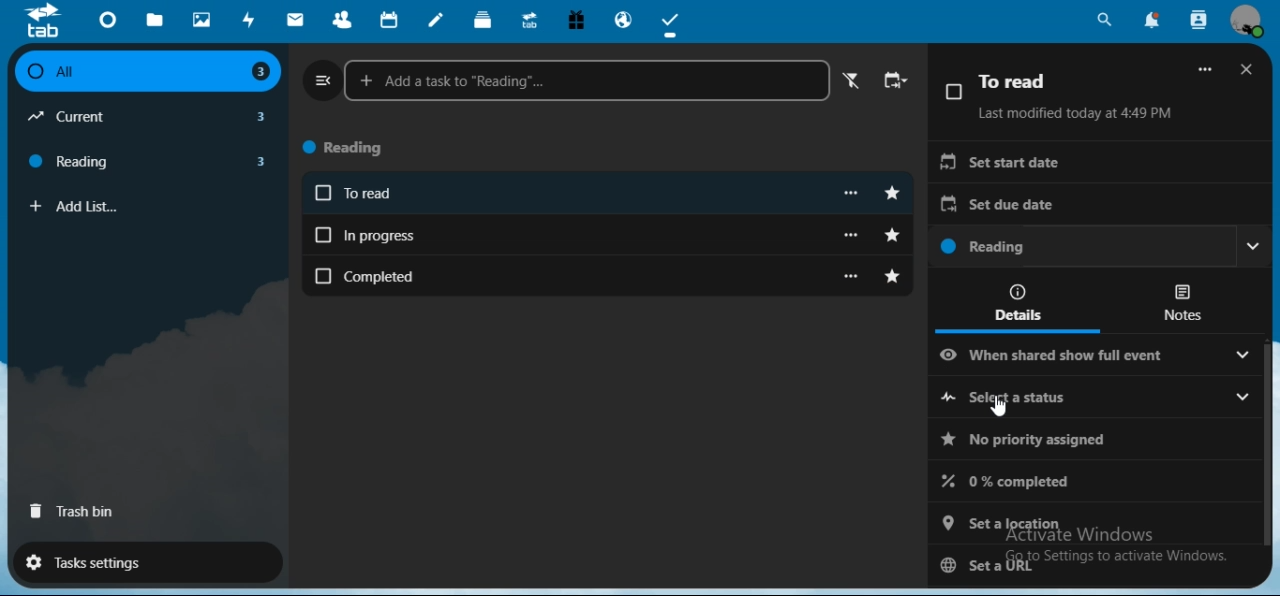  I want to click on notes, so click(437, 20).